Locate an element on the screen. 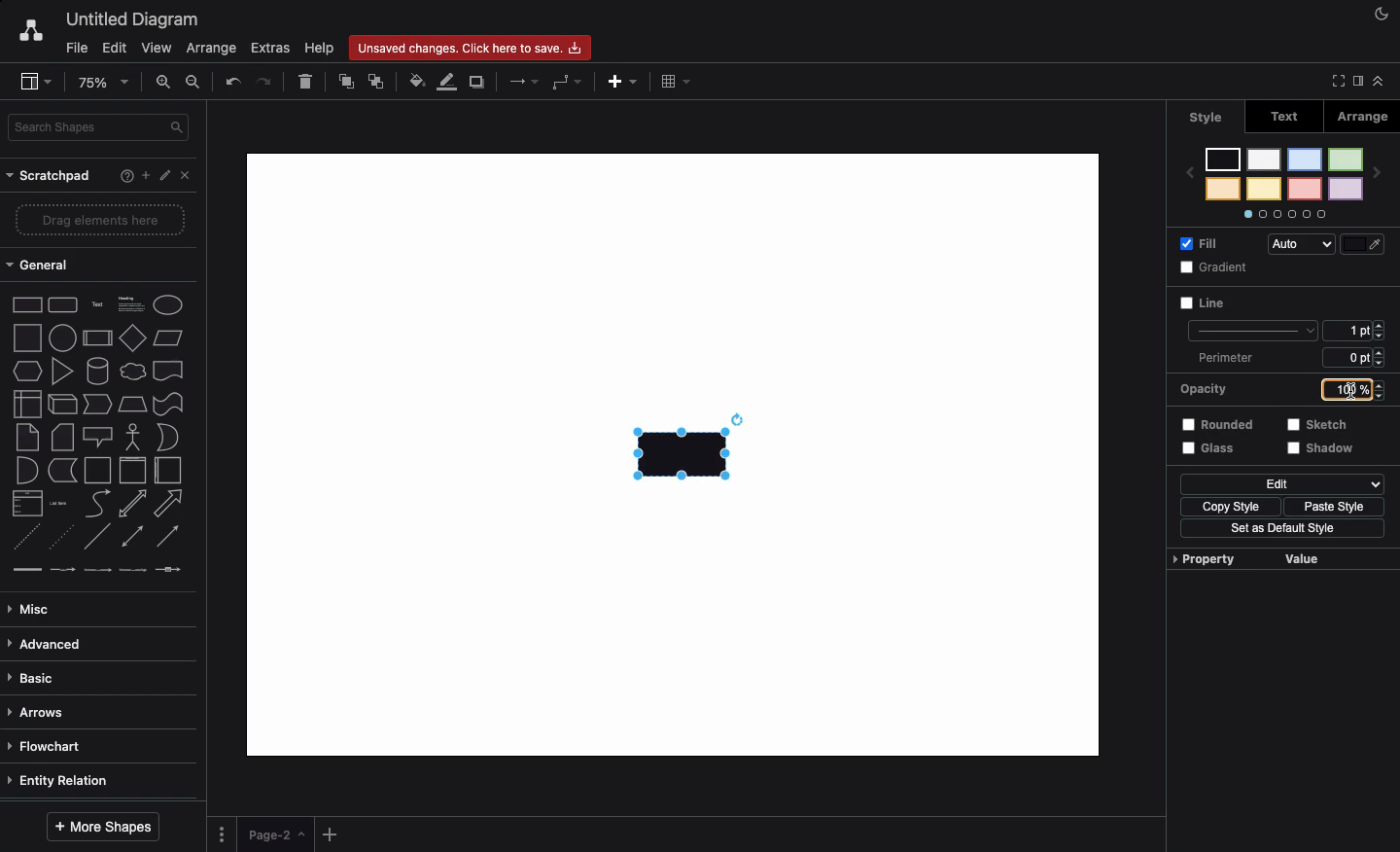 This screenshot has width=1400, height=852. dashed line is located at coordinates (22, 536).